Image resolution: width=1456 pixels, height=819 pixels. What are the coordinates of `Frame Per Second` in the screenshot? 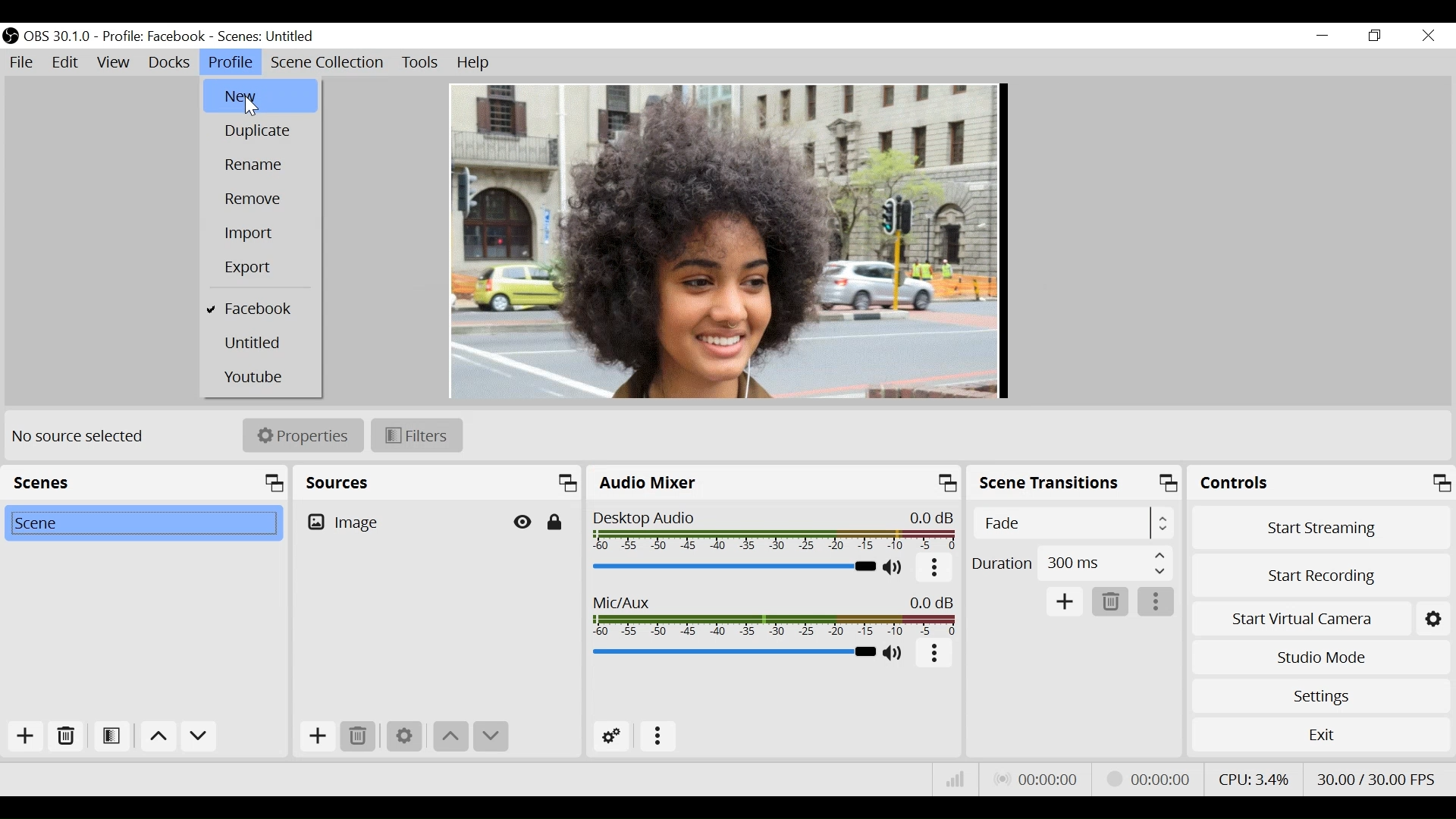 It's located at (1376, 777).